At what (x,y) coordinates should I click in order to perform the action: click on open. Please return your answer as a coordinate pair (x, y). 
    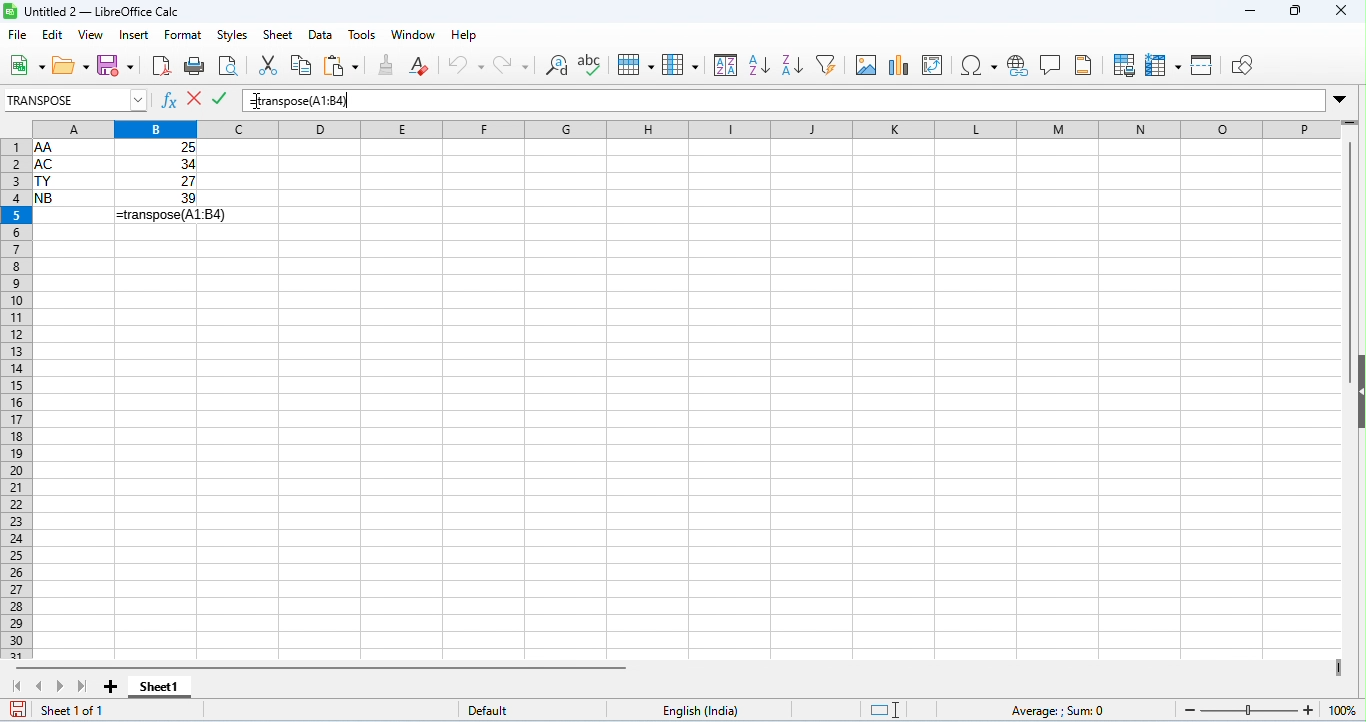
    Looking at the image, I should click on (71, 68).